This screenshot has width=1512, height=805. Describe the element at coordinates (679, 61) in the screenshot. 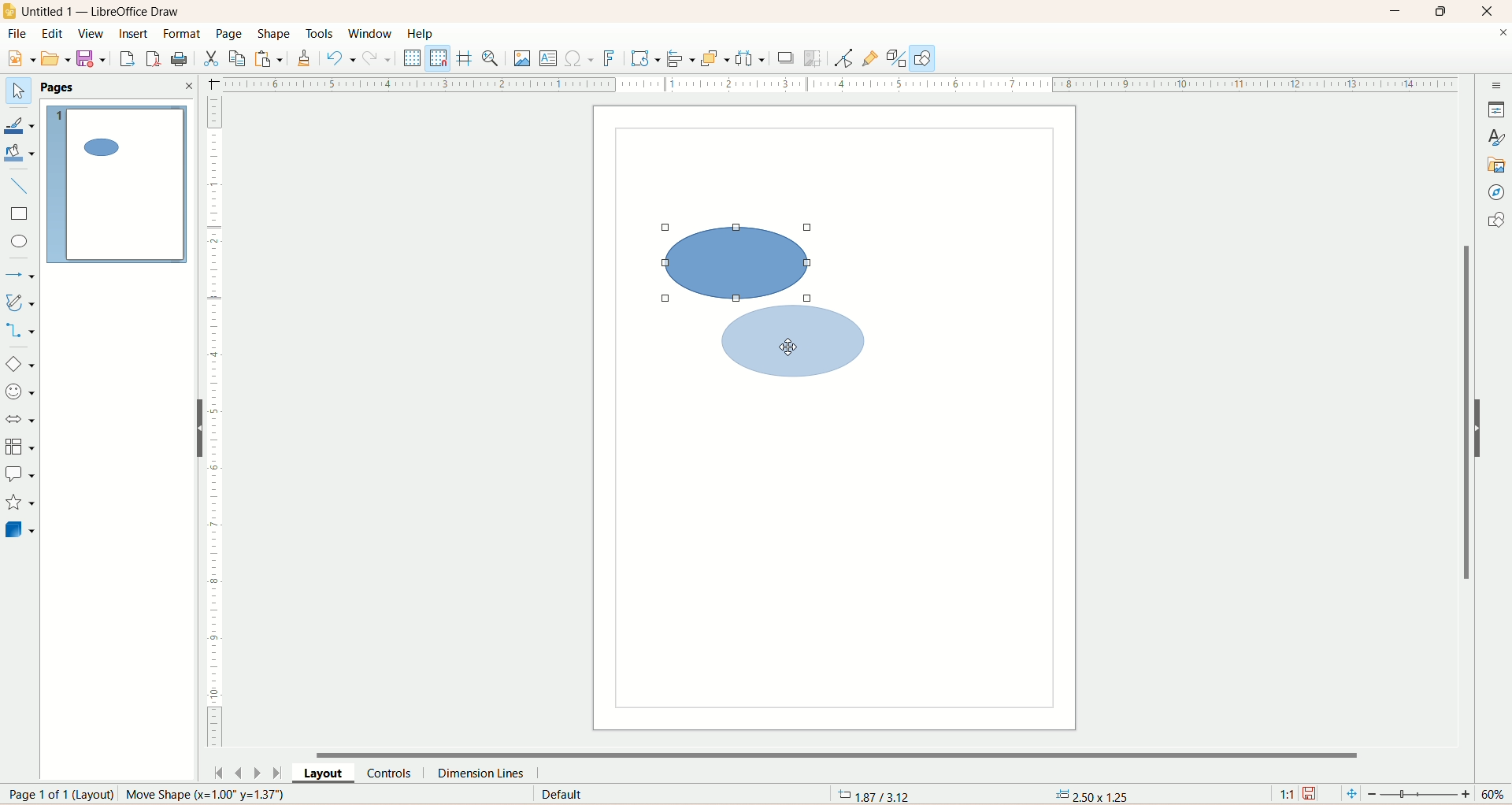

I see `allign` at that location.